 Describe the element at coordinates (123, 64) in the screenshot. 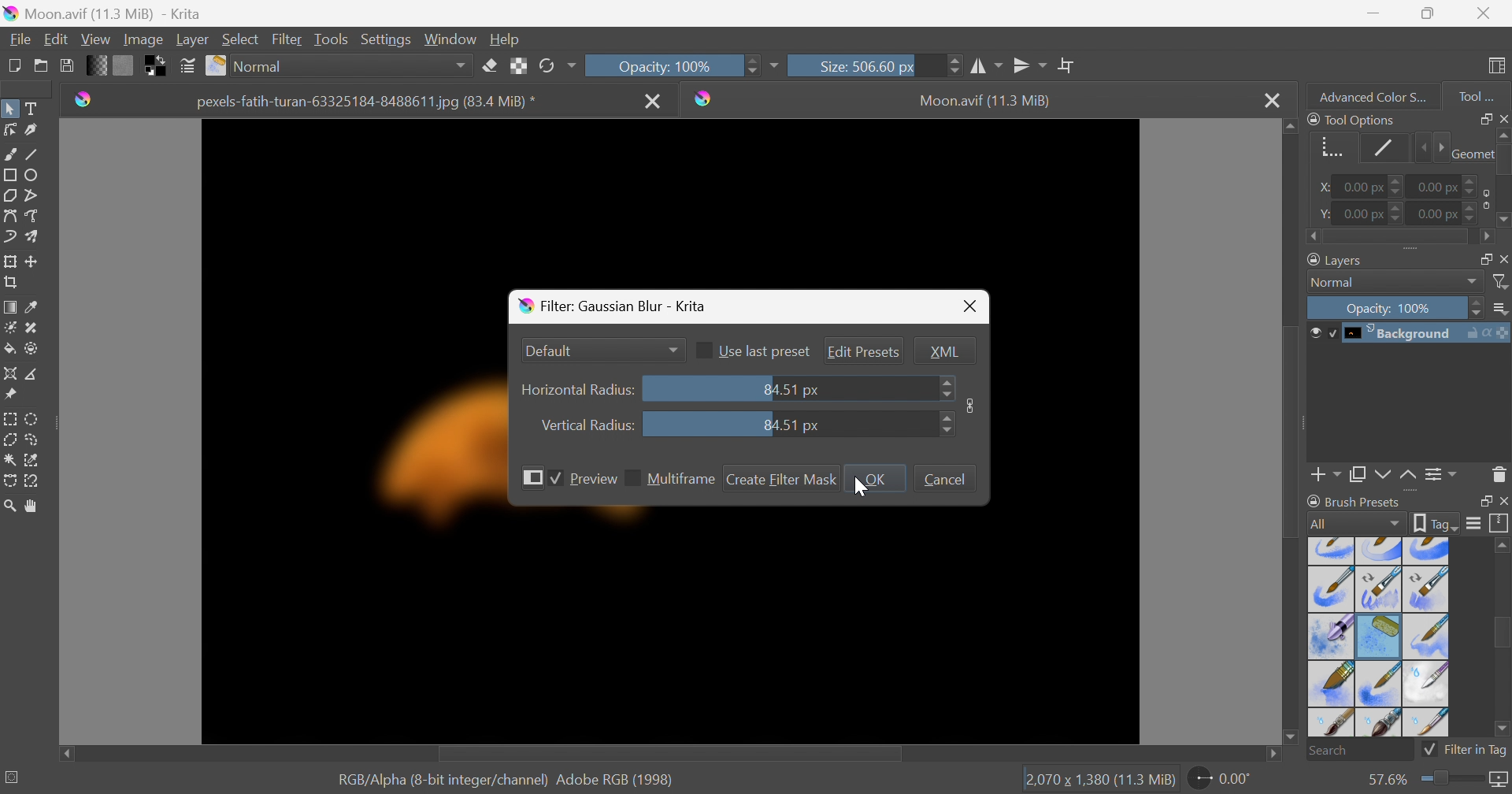

I see `Fill patterns` at that location.